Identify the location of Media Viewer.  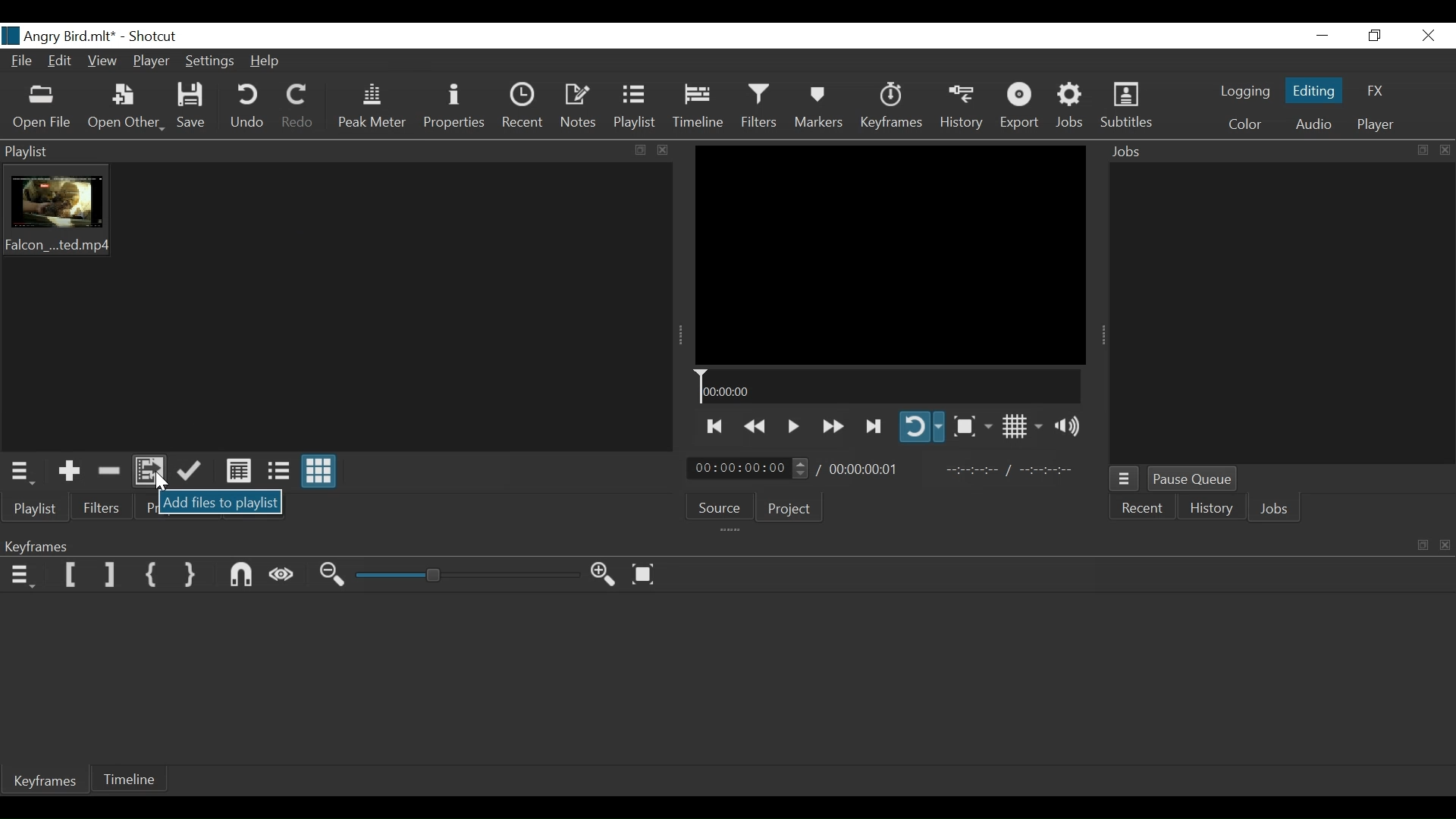
(895, 256).